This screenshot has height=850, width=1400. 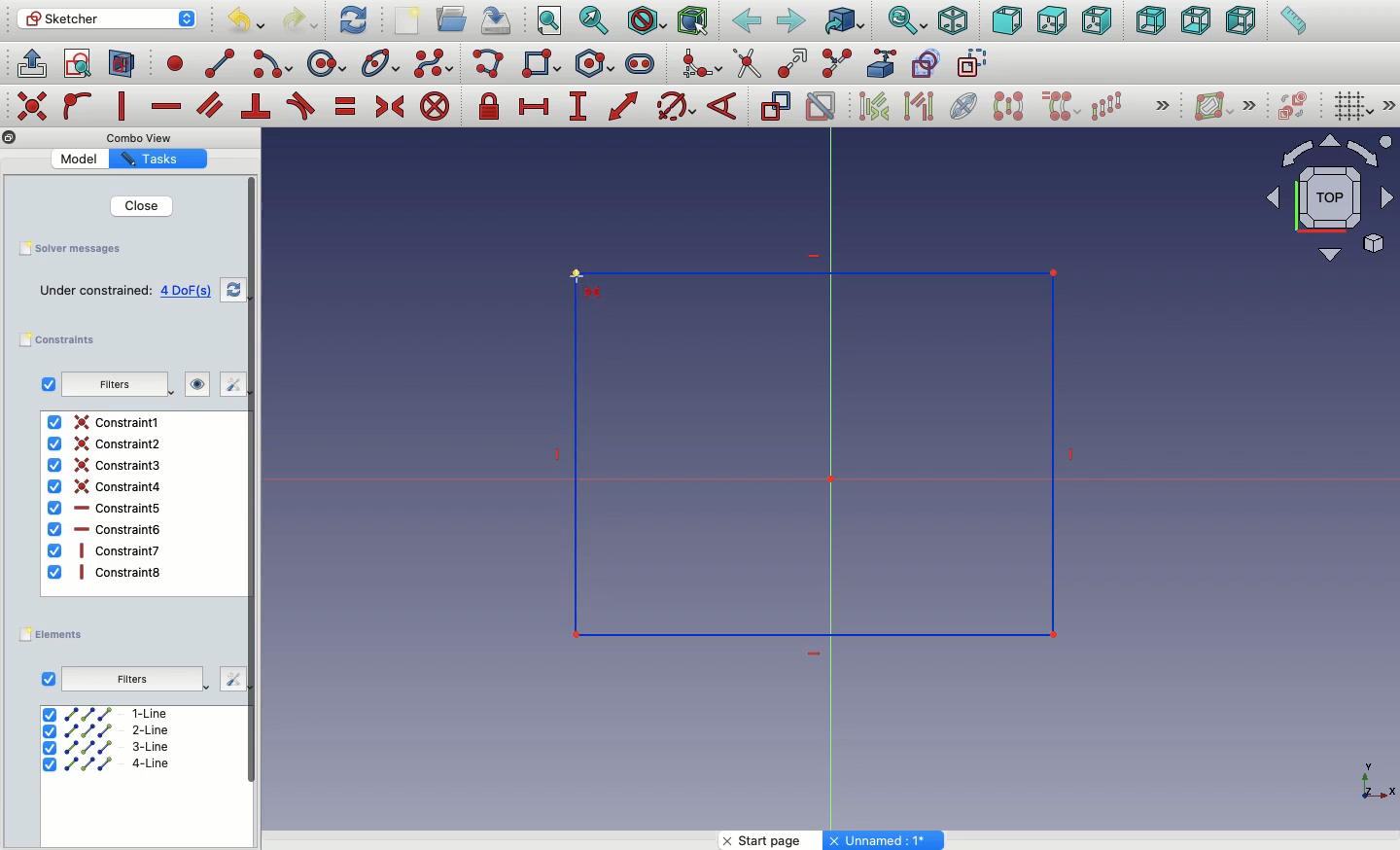 What do you see at coordinates (494, 18) in the screenshot?
I see `Save` at bounding box center [494, 18].